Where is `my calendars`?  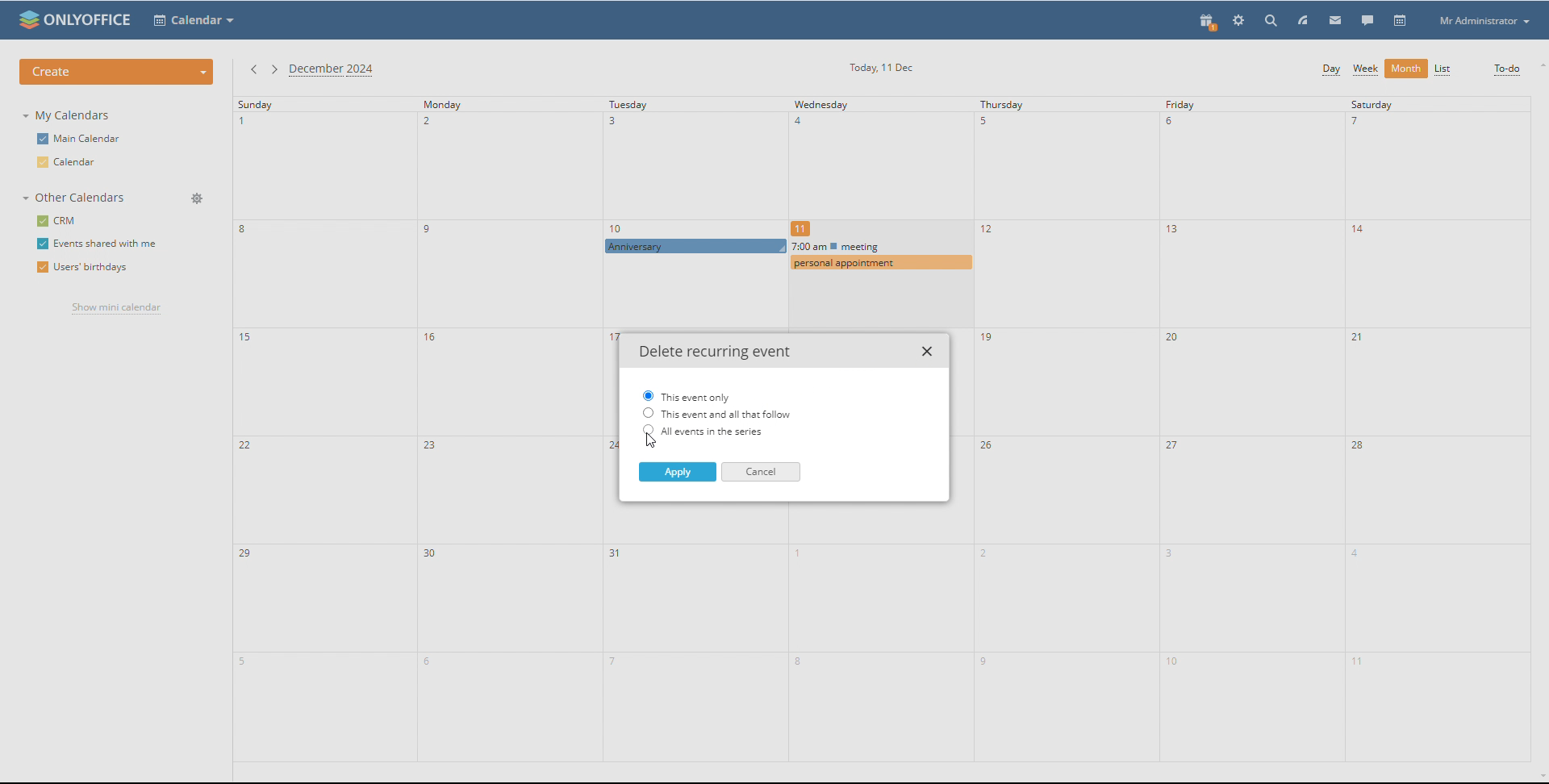
my calendars is located at coordinates (69, 115).